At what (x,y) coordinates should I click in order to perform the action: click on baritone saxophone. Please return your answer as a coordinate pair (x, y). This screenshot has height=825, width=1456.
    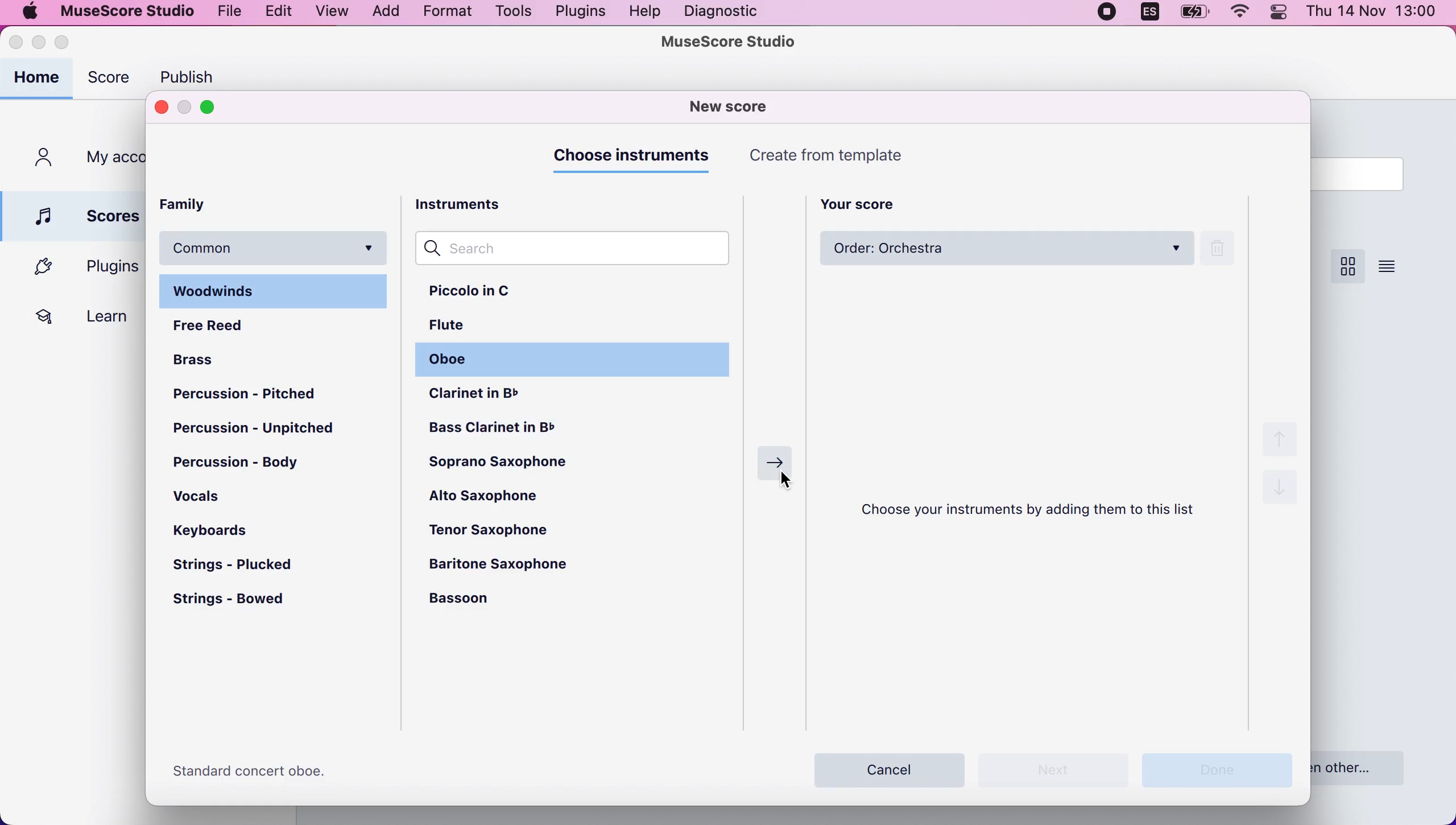
    Looking at the image, I should click on (511, 564).